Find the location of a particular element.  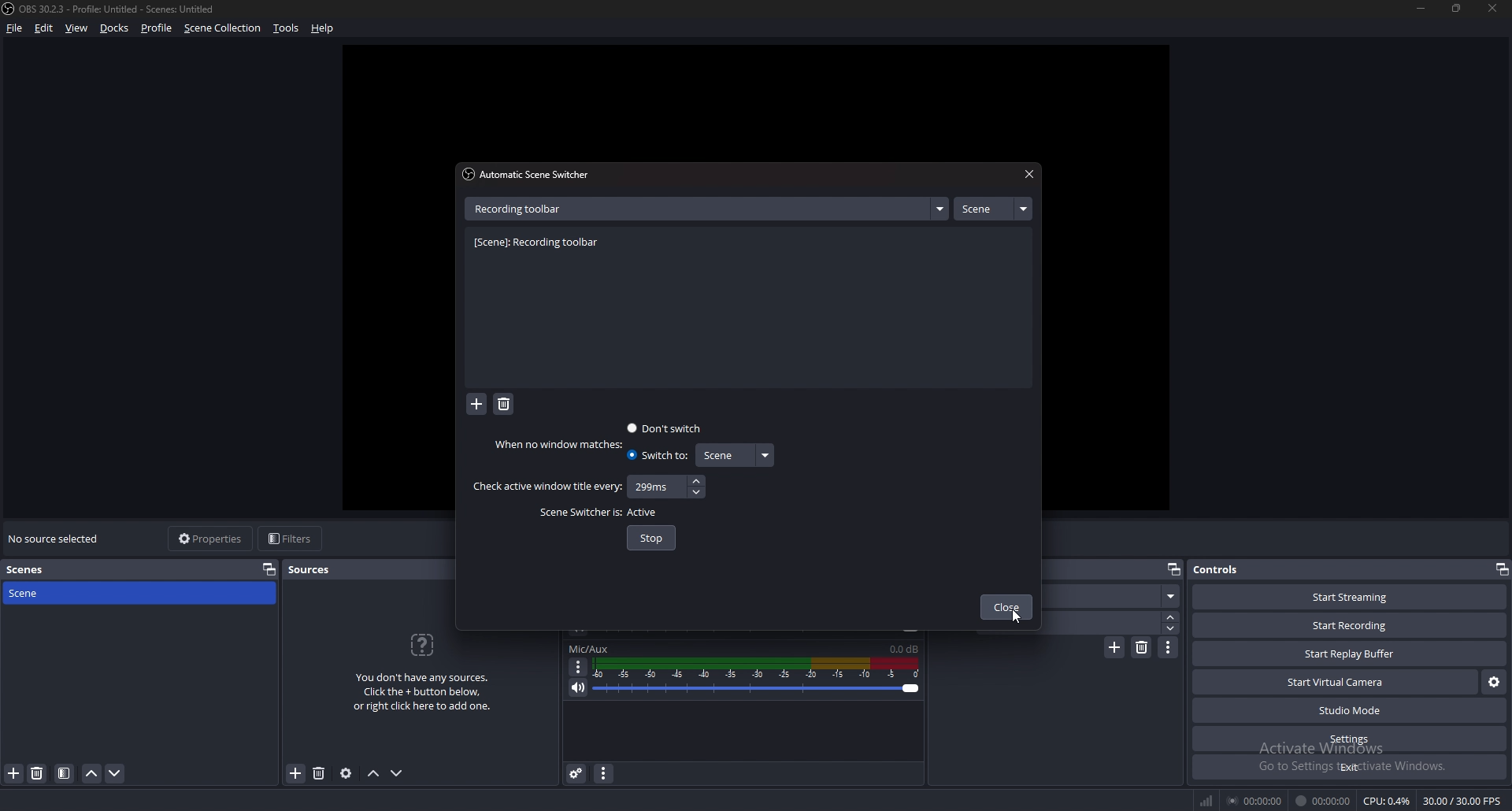

help is located at coordinates (323, 29).